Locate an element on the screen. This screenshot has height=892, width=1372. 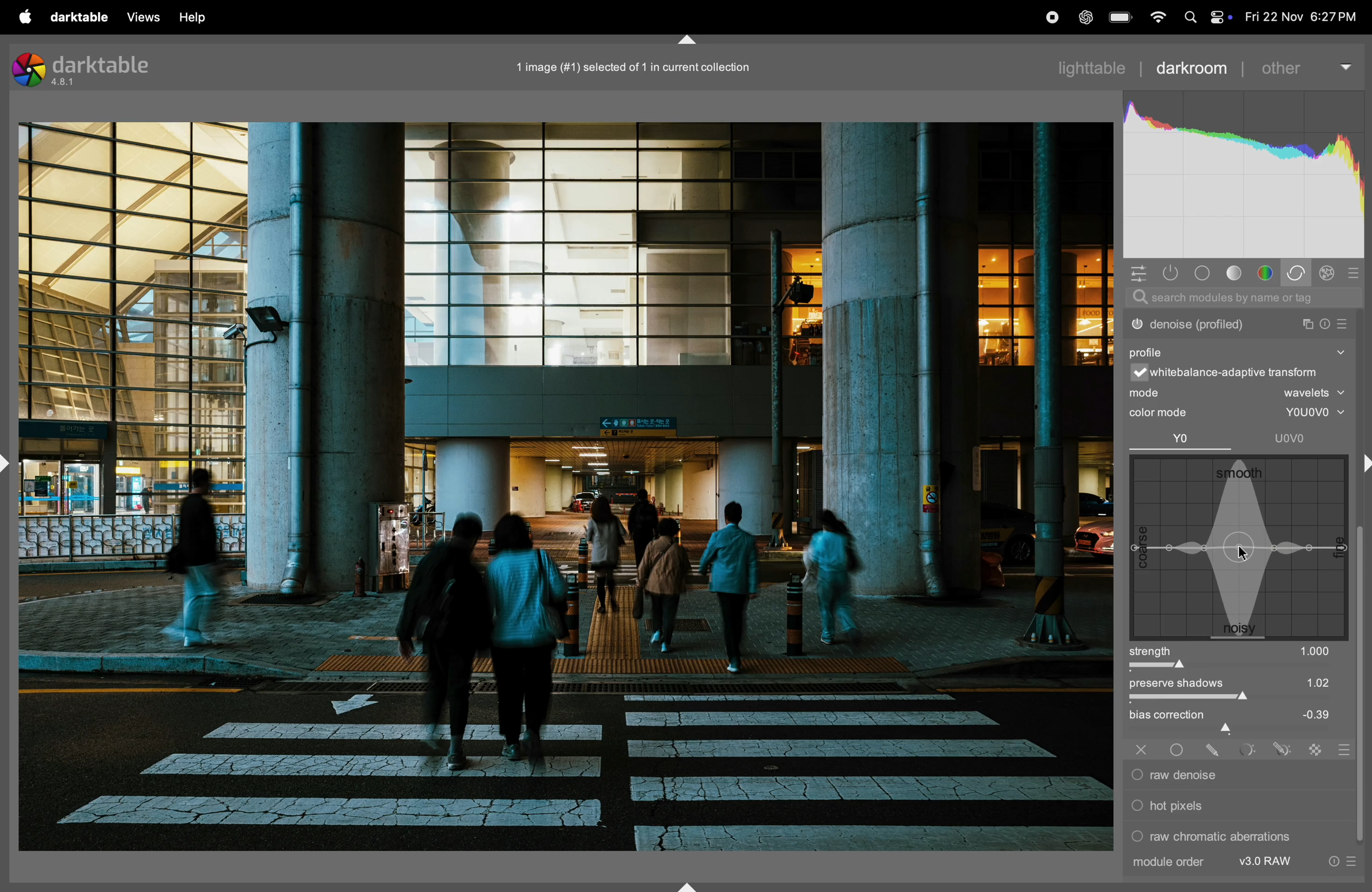
tone is located at coordinates (1236, 273).